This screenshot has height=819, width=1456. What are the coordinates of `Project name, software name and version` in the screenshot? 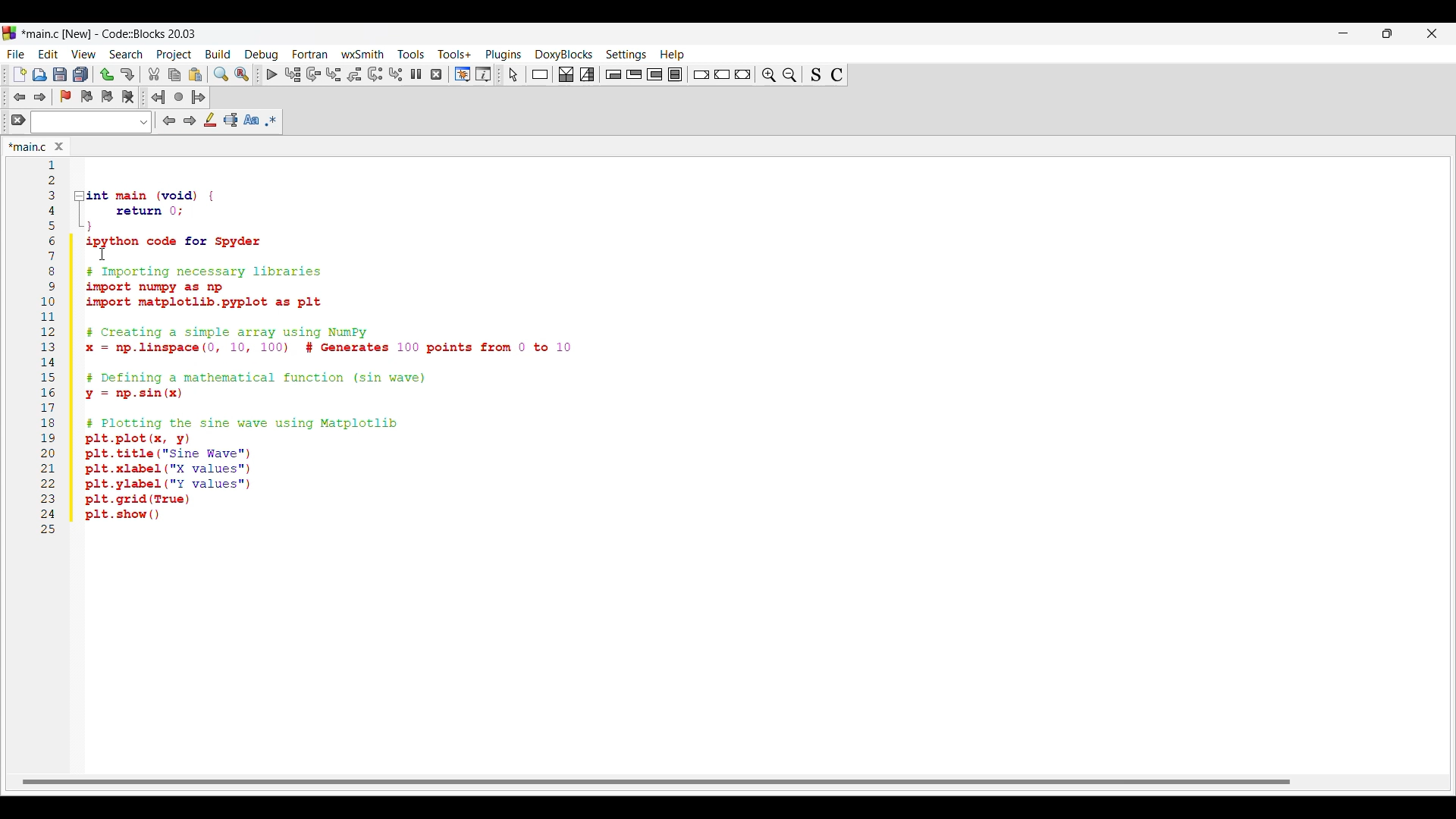 It's located at (110, 33).